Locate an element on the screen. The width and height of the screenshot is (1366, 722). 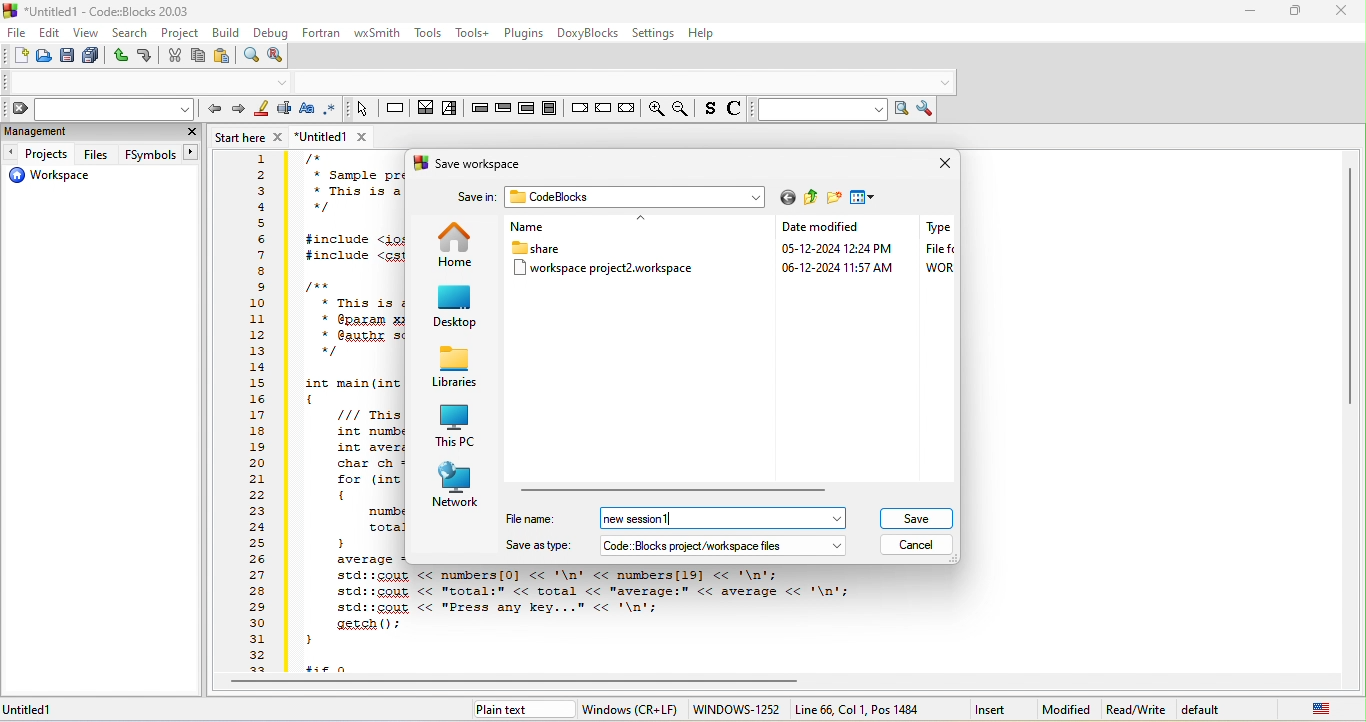
line 66 col 1, pos 1484 is located at coordinates (860, 709).